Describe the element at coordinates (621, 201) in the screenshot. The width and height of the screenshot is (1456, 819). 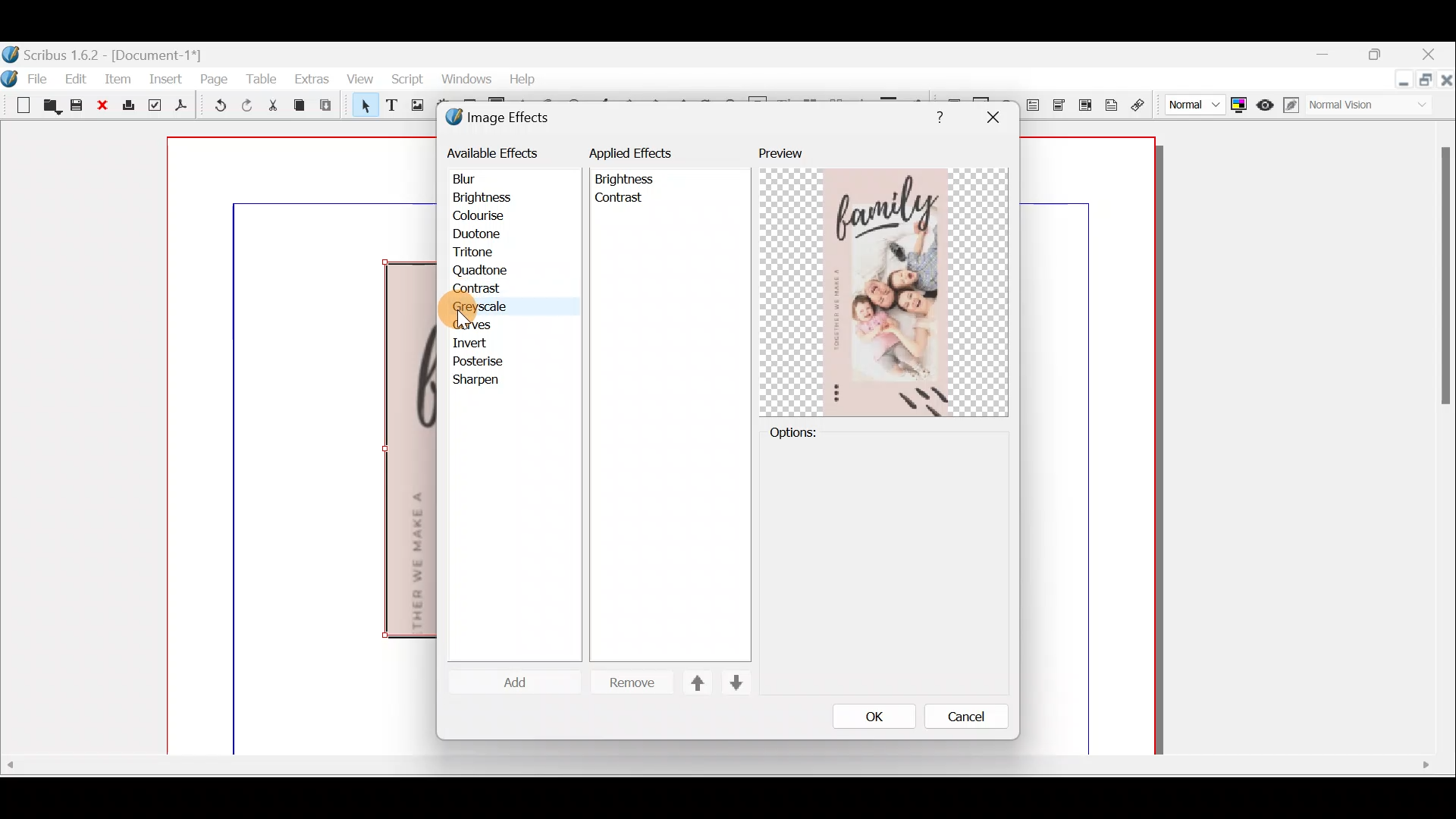
I see `contrast` at that location.